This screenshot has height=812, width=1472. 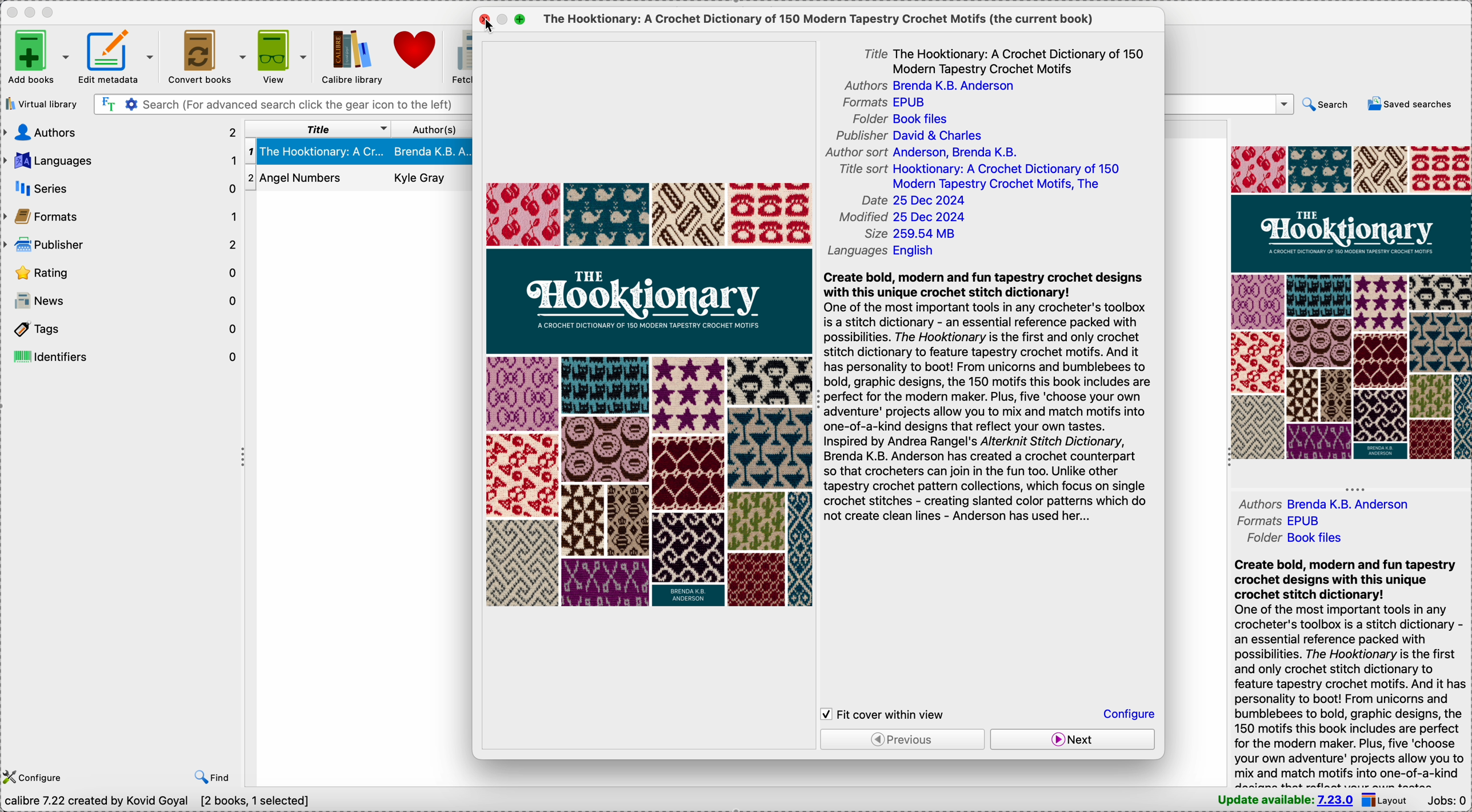 I want to click on book cover preview, so click(x=646, y=394).